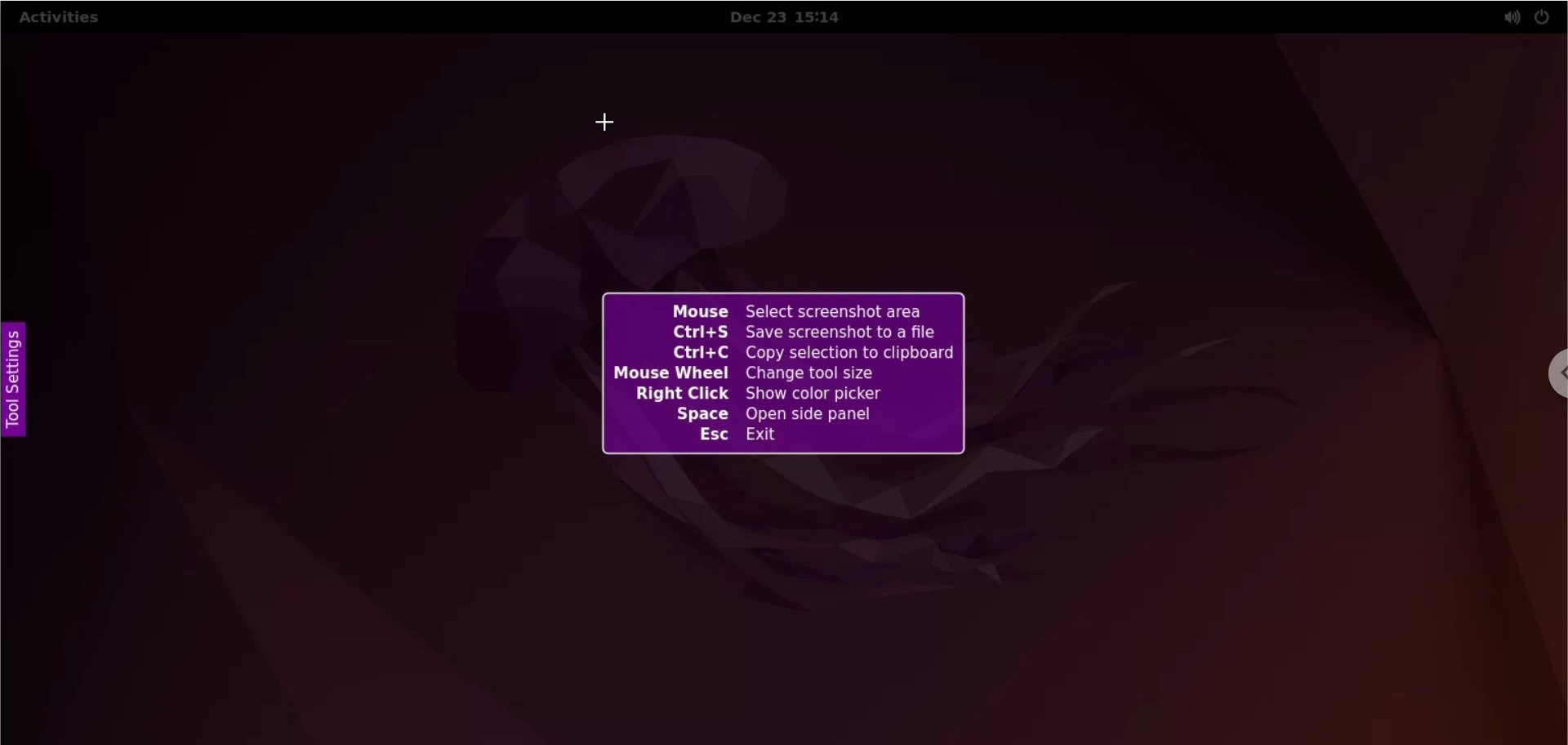 The height and width of the screenshot is (745, 1568). I want to click on chrome options, so click(1545, 372).